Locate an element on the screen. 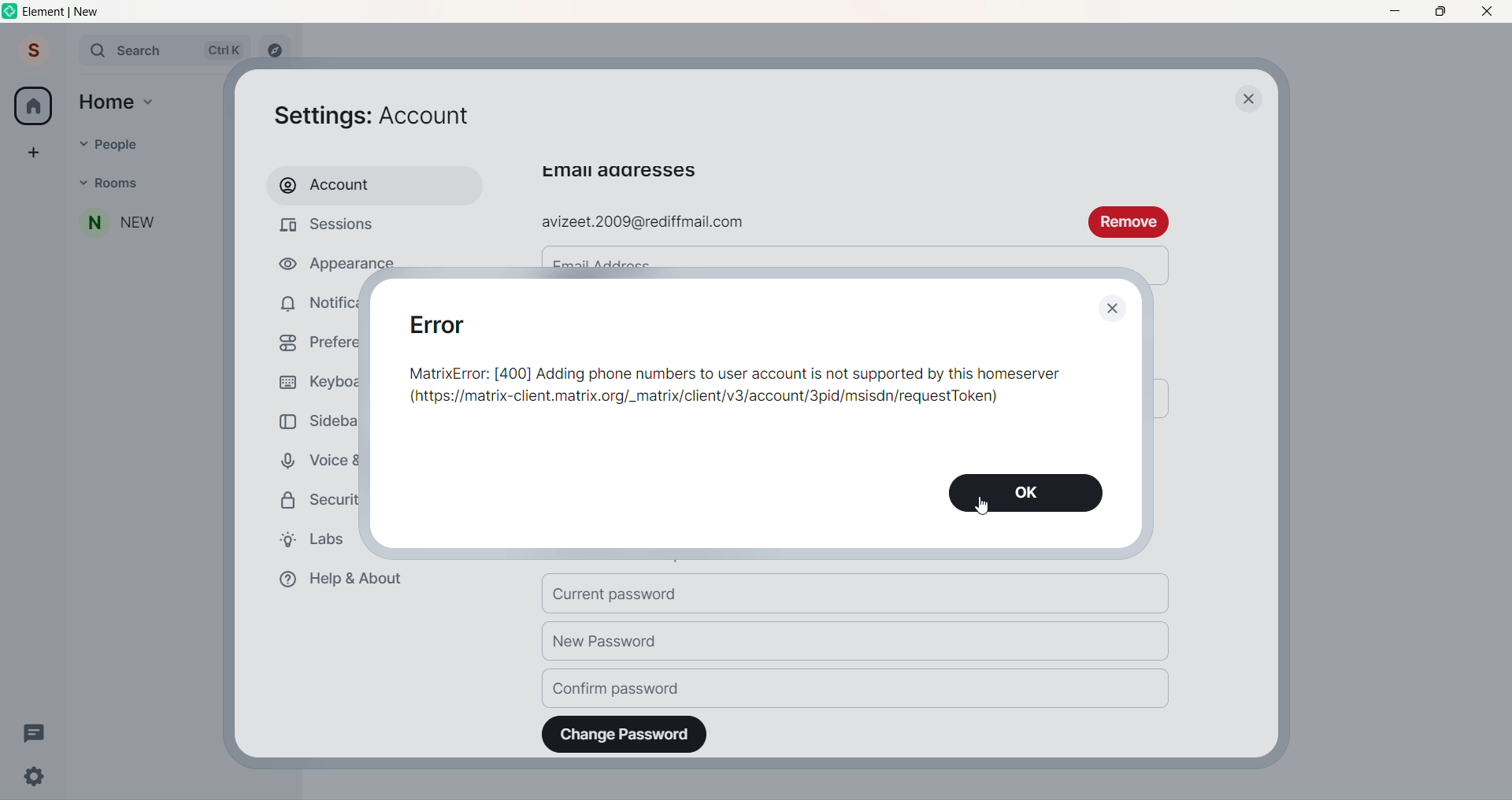  Home is located at coordinates (33, 106).